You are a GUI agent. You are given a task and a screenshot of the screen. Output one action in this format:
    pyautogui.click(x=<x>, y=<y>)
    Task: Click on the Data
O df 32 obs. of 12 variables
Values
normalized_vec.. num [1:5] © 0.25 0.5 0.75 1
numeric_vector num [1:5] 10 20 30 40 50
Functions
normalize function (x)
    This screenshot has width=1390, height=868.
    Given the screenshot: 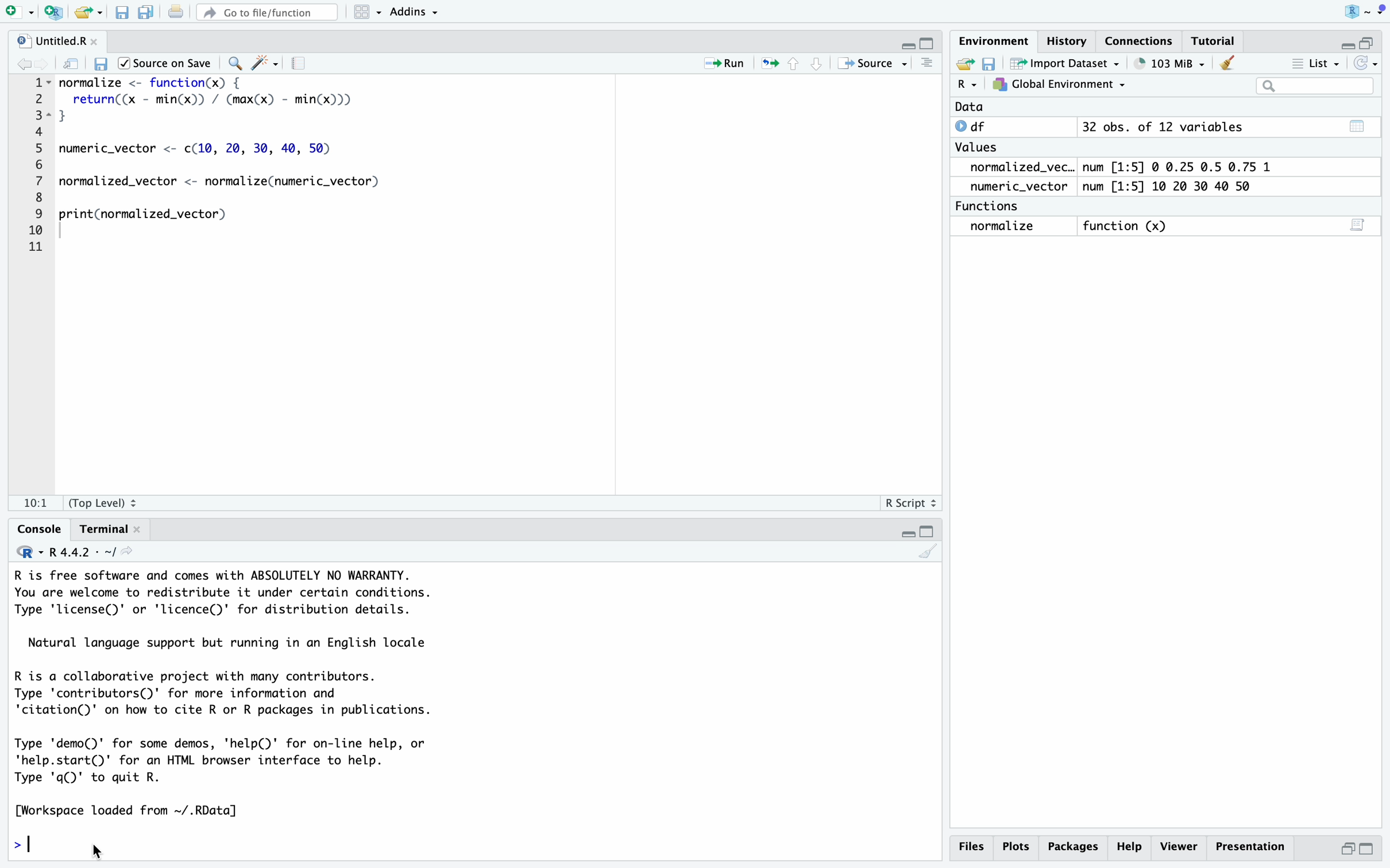 What is the action you would take?
    pyautogui.click(x=1118, y=172)
    